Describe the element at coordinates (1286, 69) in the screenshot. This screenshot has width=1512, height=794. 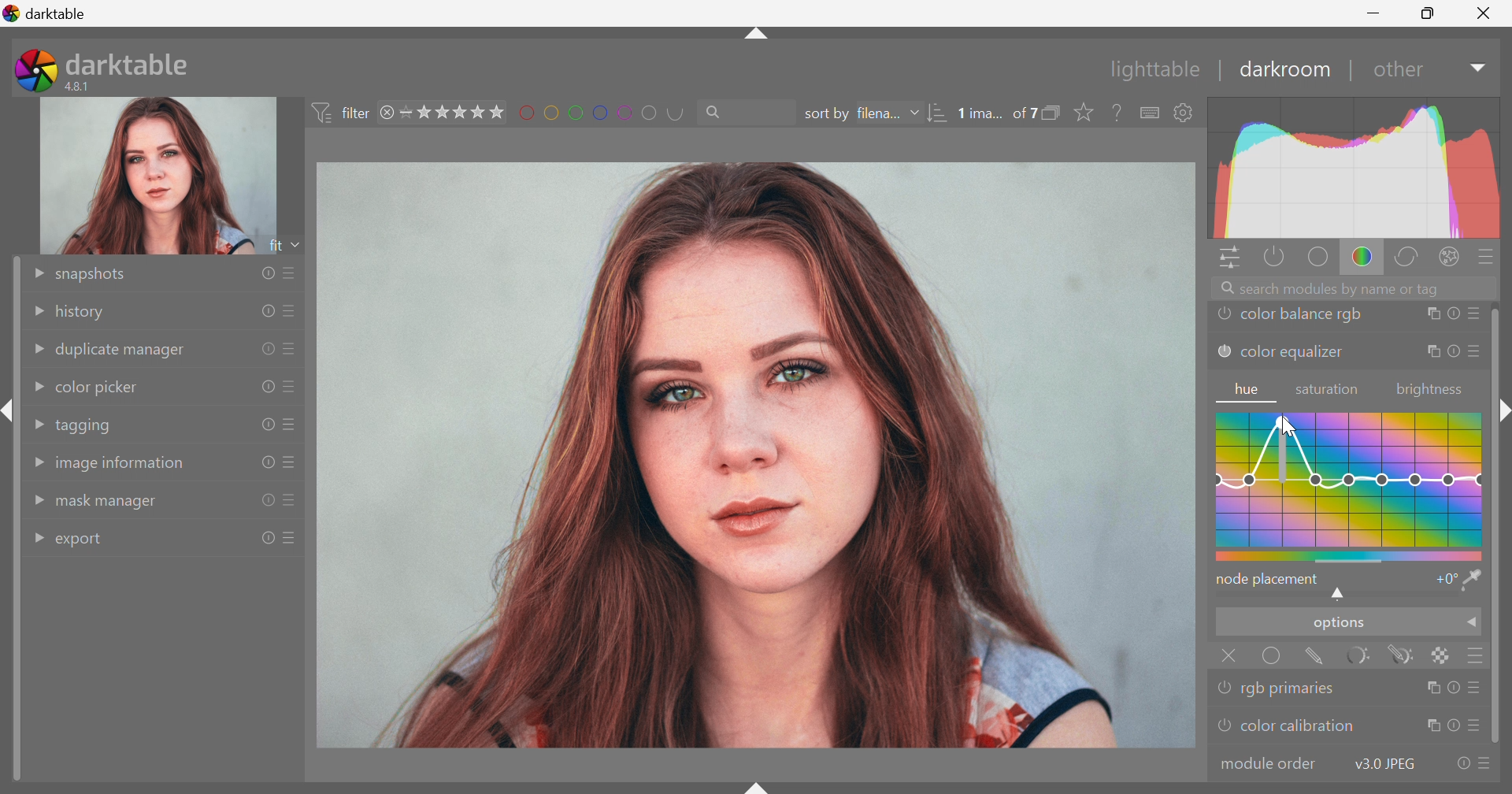
I see `darkroom` at that location.